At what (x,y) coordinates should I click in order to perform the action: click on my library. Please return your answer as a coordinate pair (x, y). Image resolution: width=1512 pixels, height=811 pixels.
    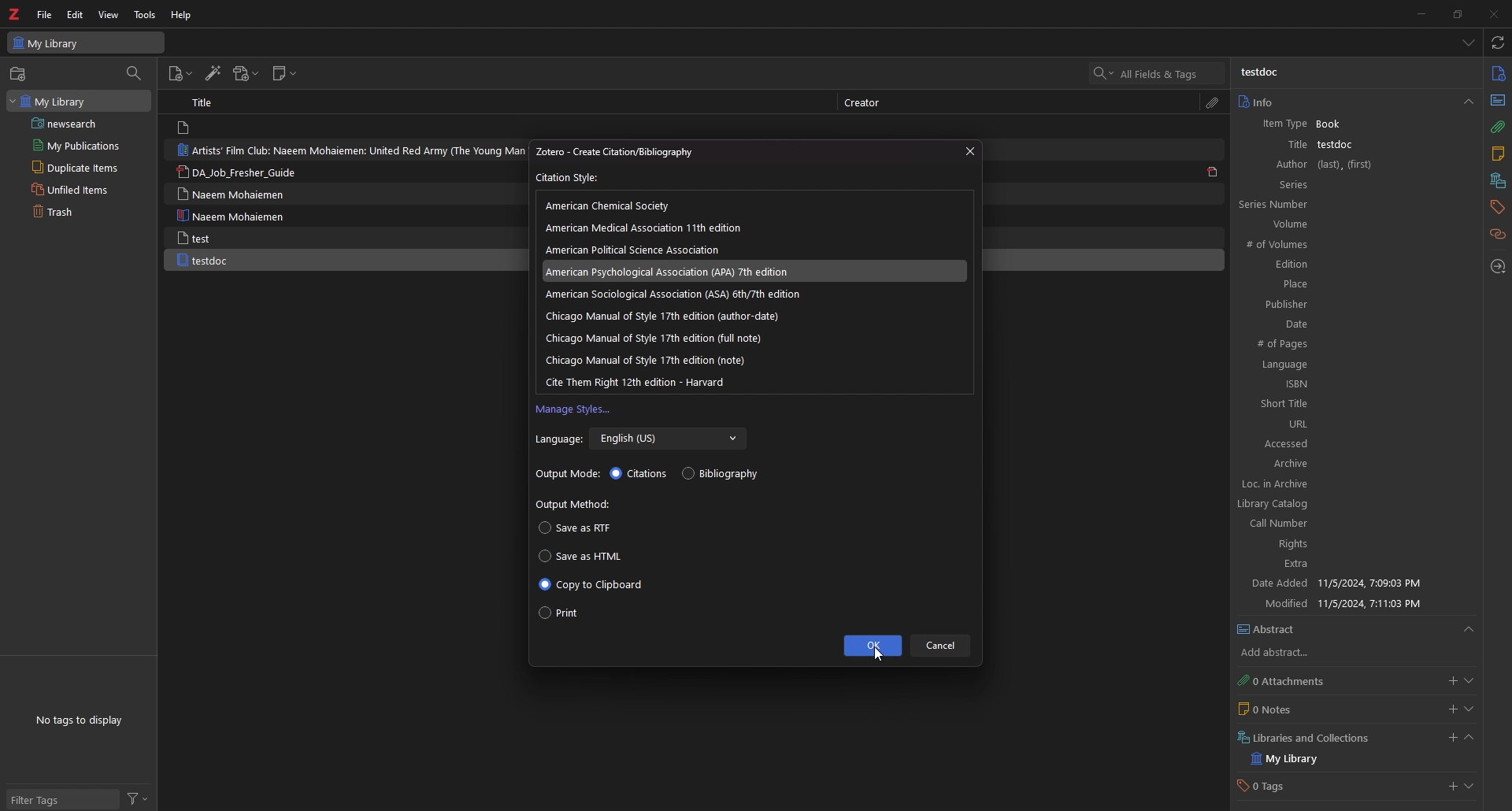
    Looking at the image, I should click on (77, 100).